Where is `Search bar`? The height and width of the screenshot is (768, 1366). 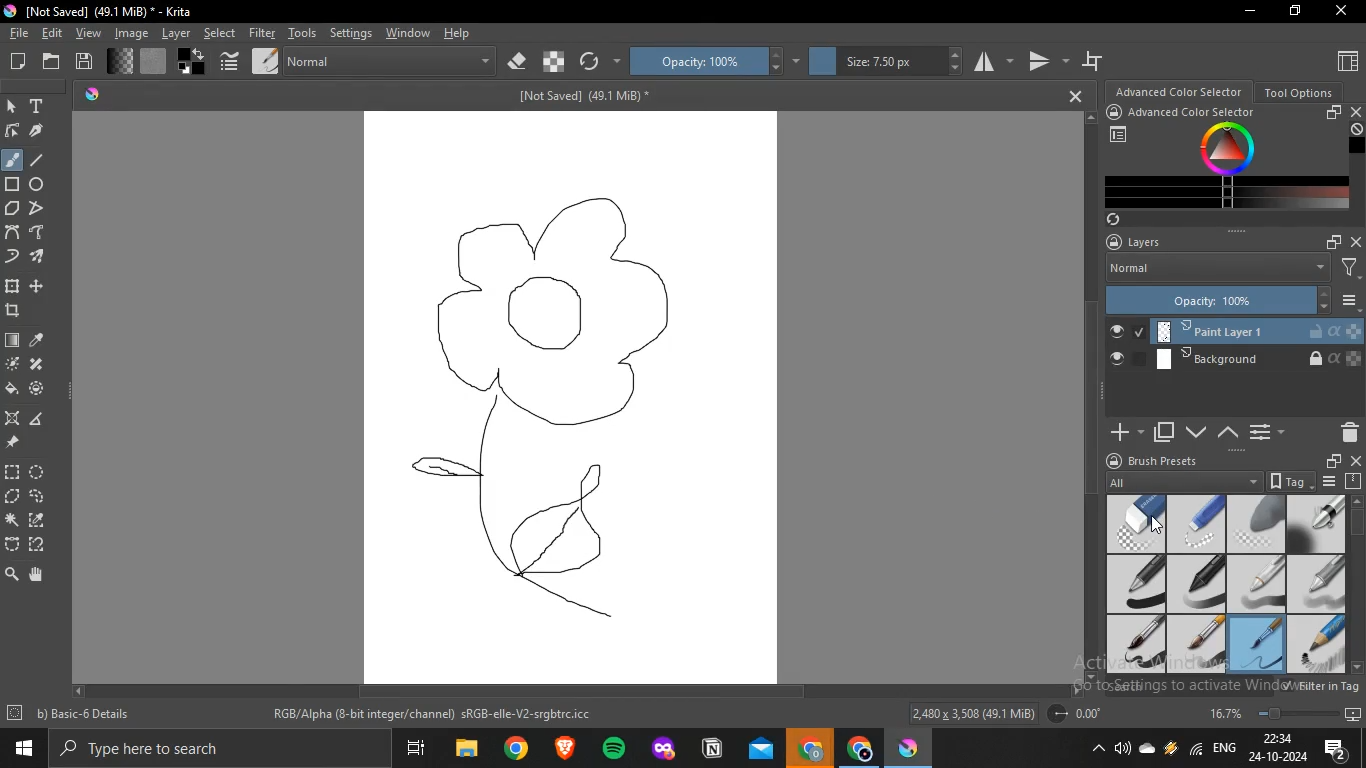
Search bar is located at coordinates (222, 749).